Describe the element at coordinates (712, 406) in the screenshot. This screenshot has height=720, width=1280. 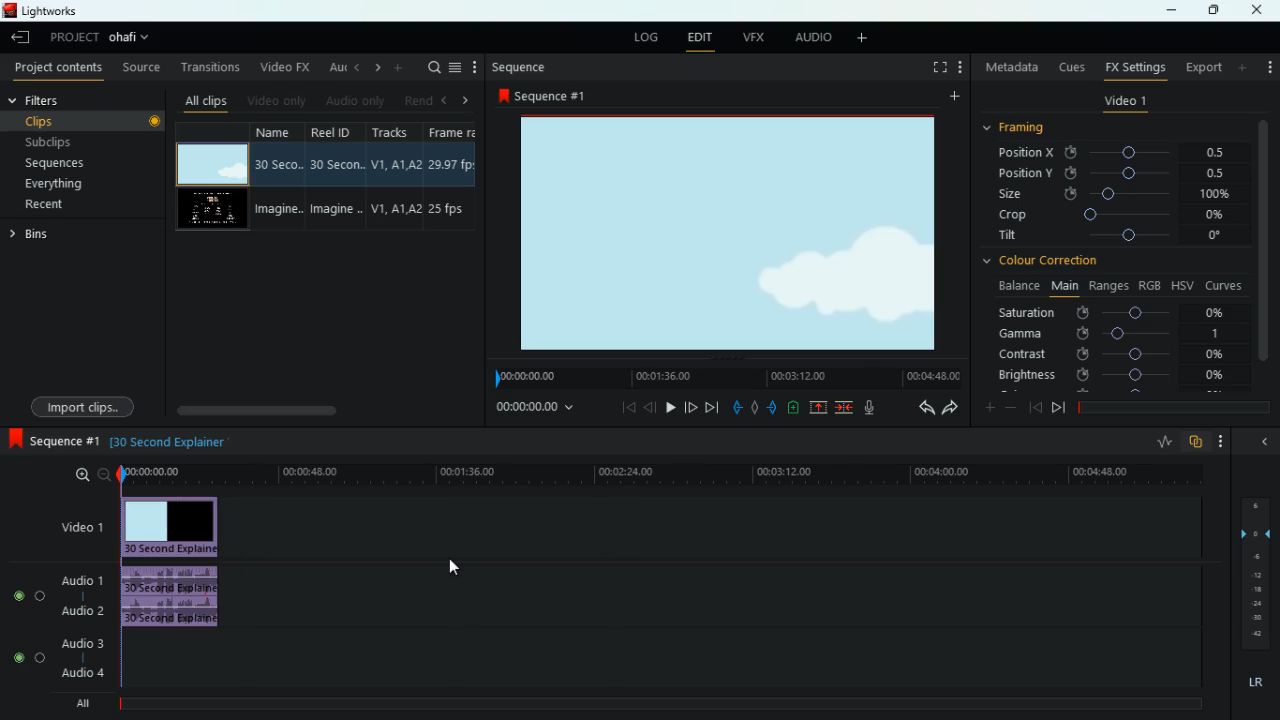
I see `end` at that location.